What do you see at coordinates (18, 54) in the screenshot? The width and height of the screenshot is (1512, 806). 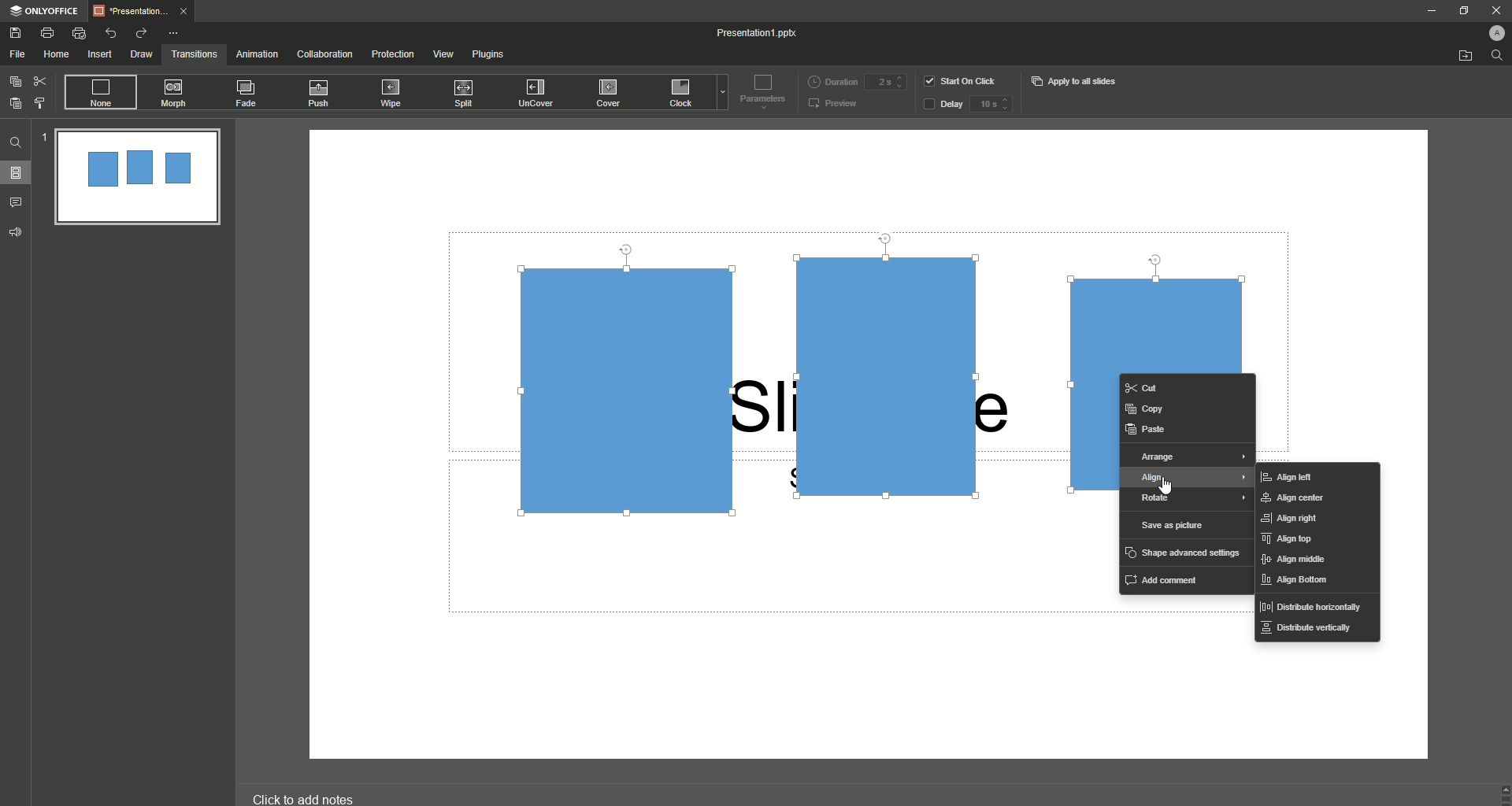 I see `File` at bounding box center [18, 54].